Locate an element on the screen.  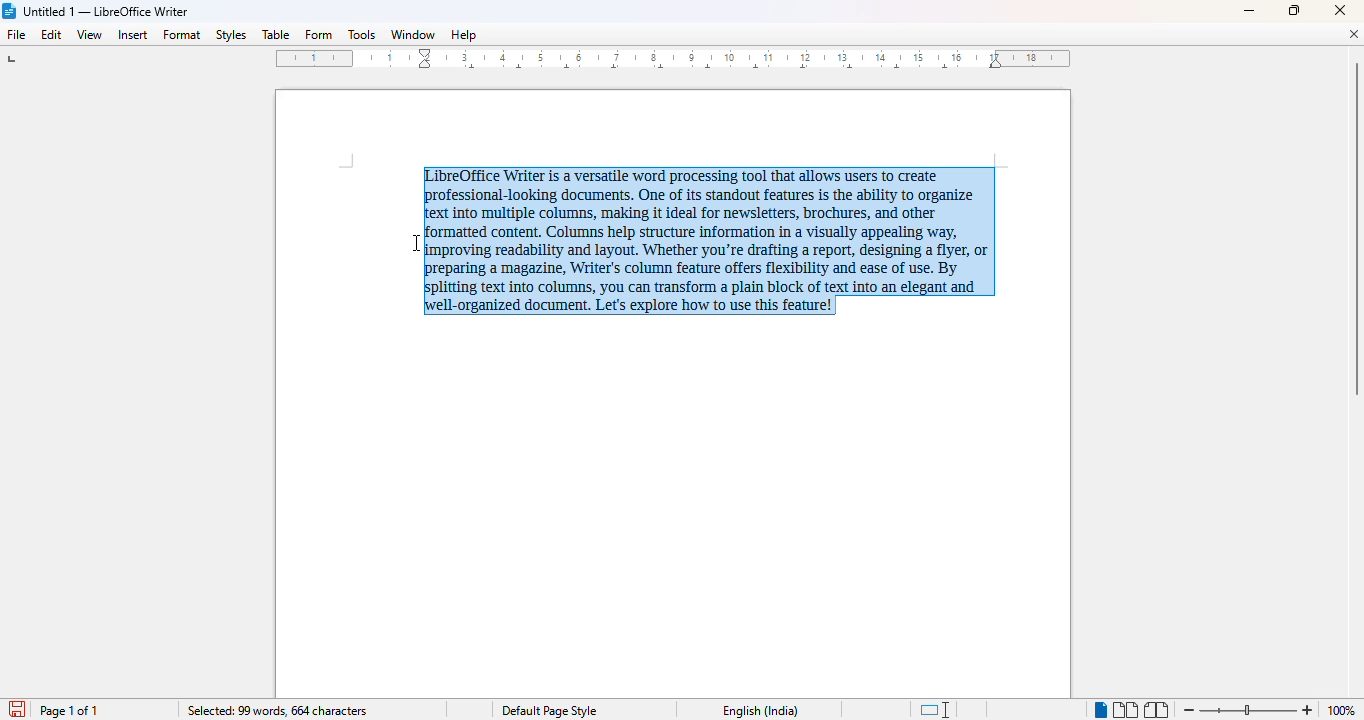
English (India) is located at coordinates (766, 711).